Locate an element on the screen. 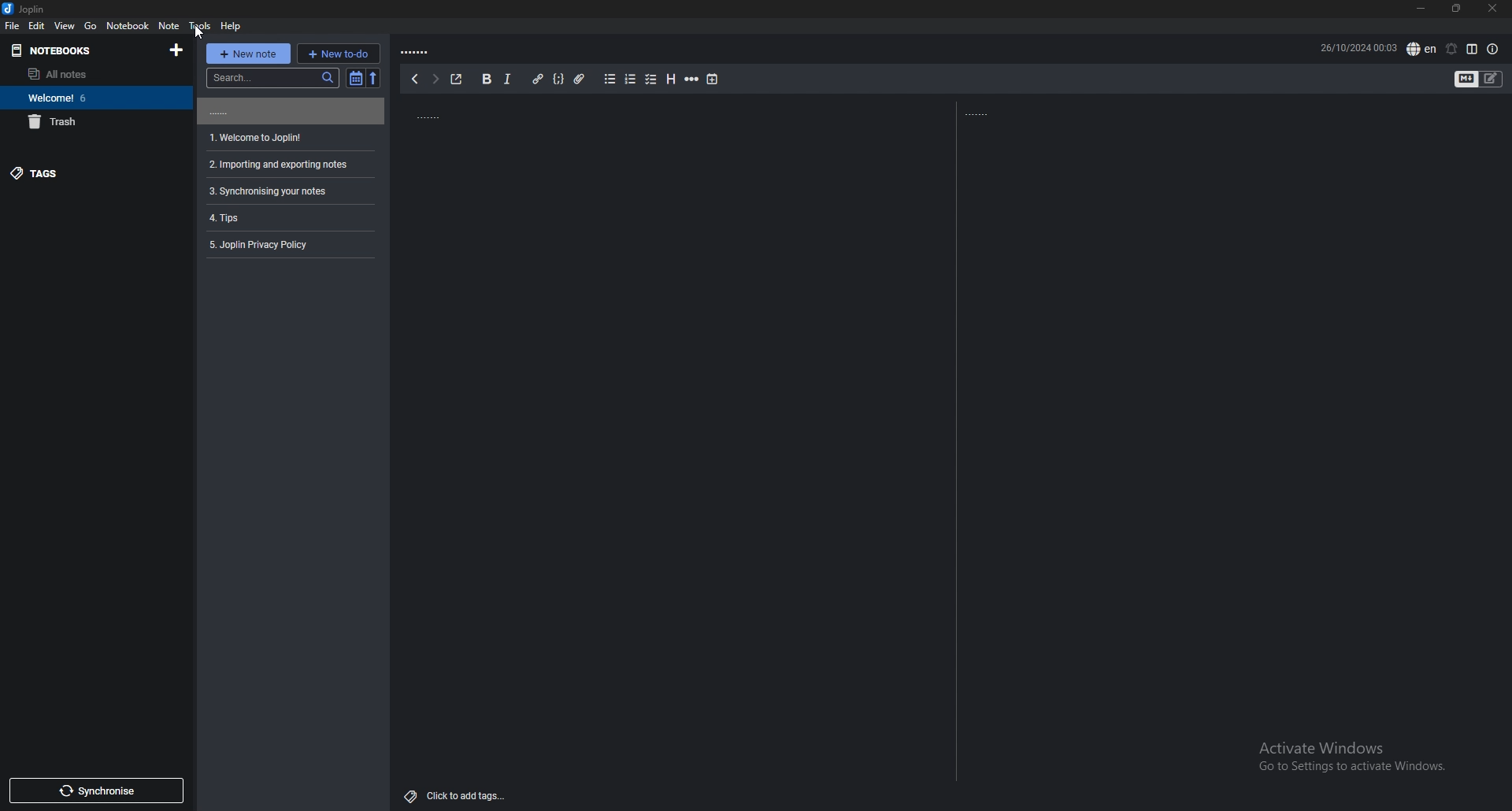 Image resolution: width=1512 pixels, height=811 pixels. note properties is located at coordinates (1492, 49).